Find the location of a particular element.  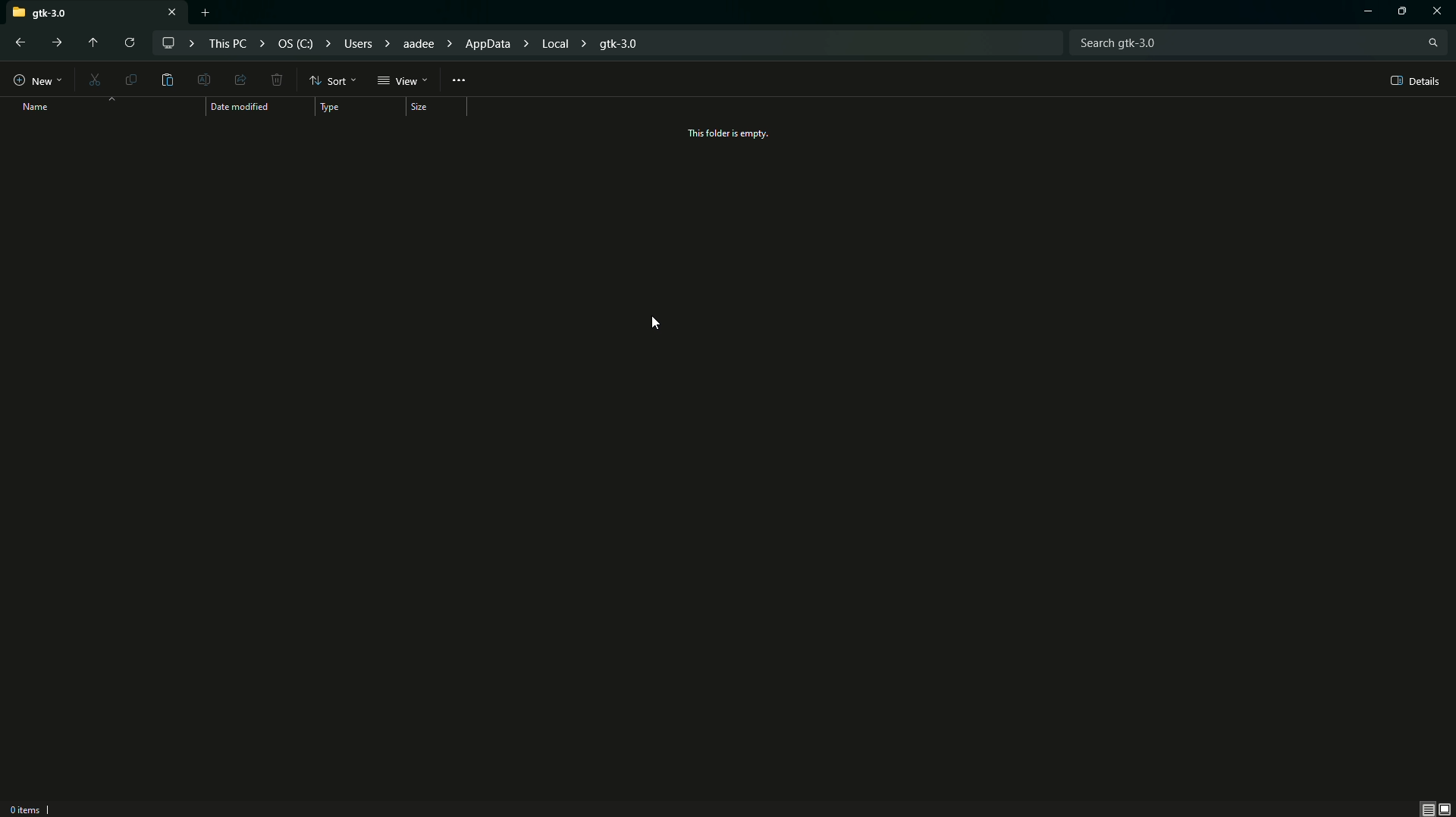

Delete is located at coordinates (278, 81).